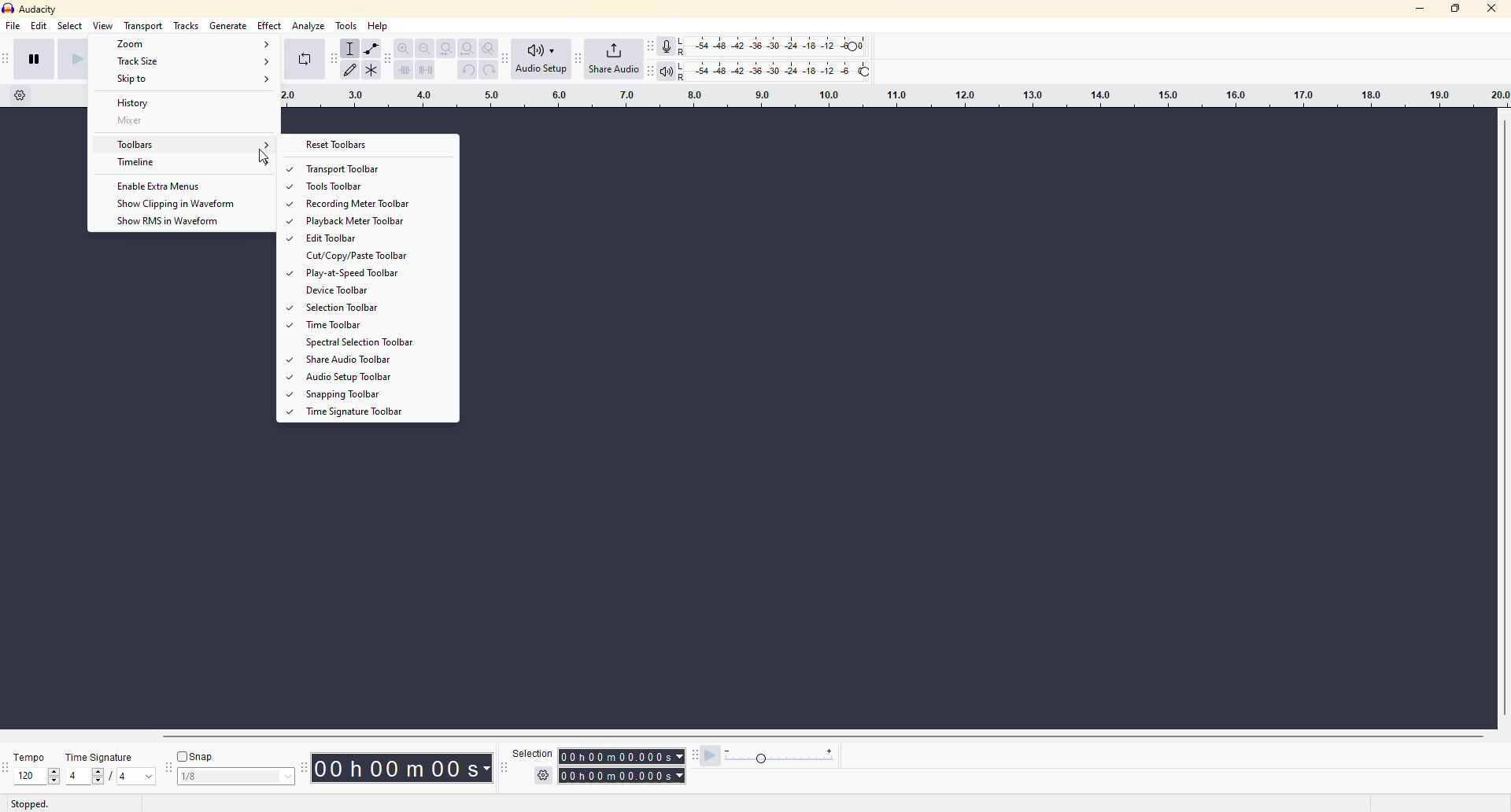 This screenshot has width=1511, height=812. I want to click on zoom in, so click(404, 46).